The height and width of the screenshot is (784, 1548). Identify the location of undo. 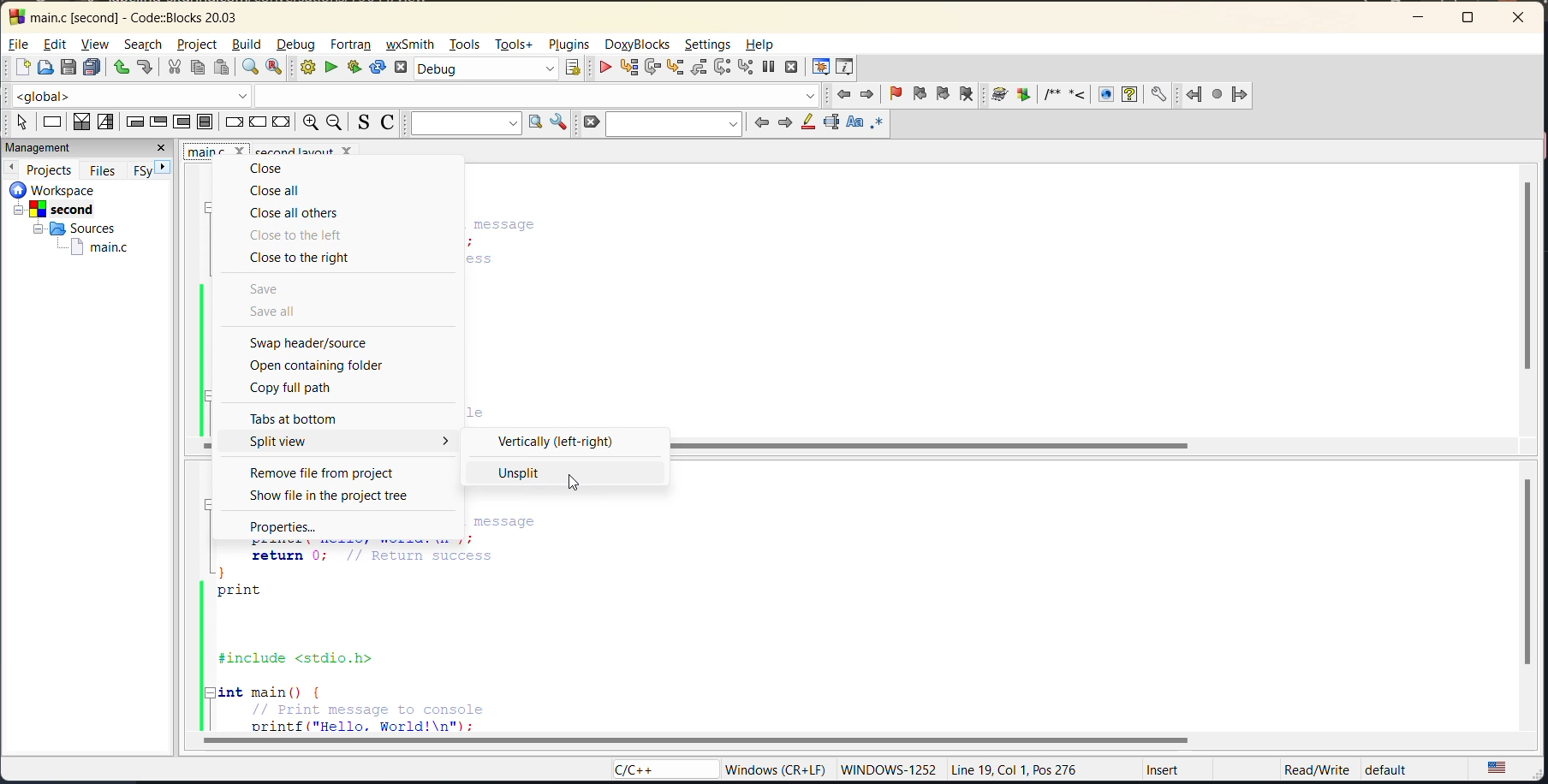
(118, 68).